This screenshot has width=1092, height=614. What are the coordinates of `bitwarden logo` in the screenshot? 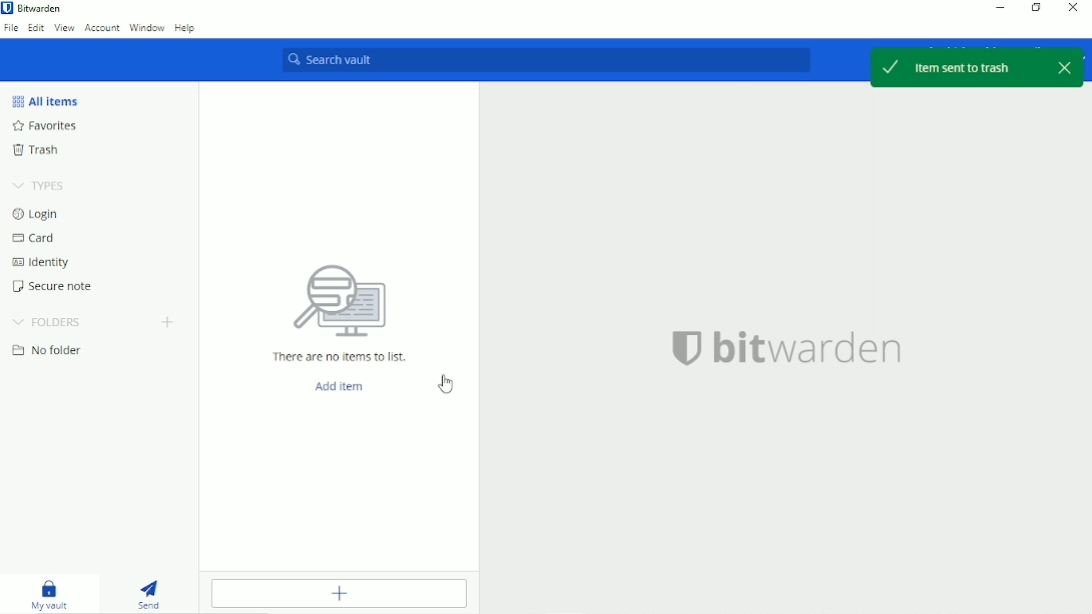 It's located at (786, 350).